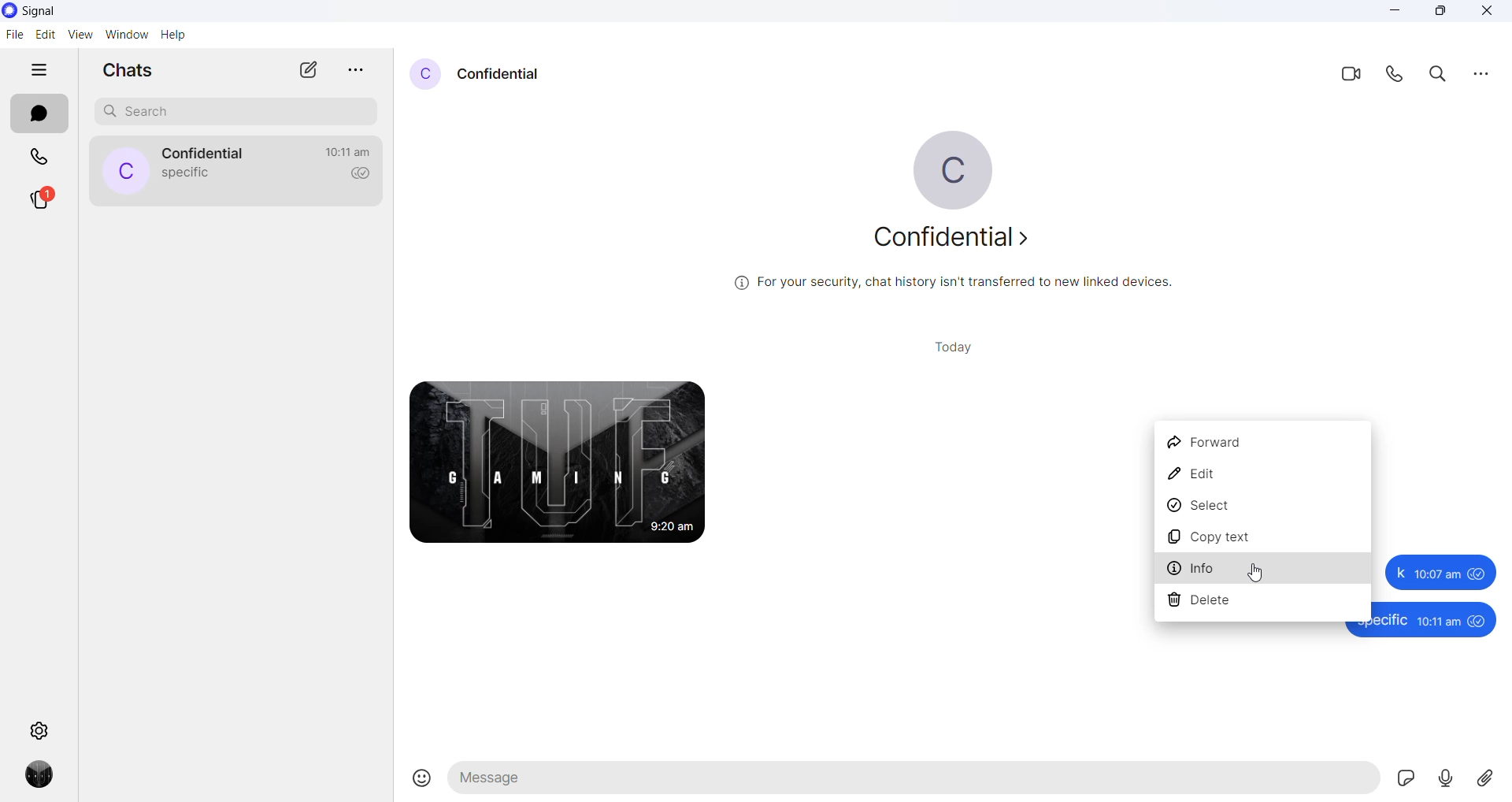 The width and height of the screenshot is (1512, 802). What do you see at coordinates (346, 152) in the screenshot?
I see `last active time` at bounding box center [346, 152].